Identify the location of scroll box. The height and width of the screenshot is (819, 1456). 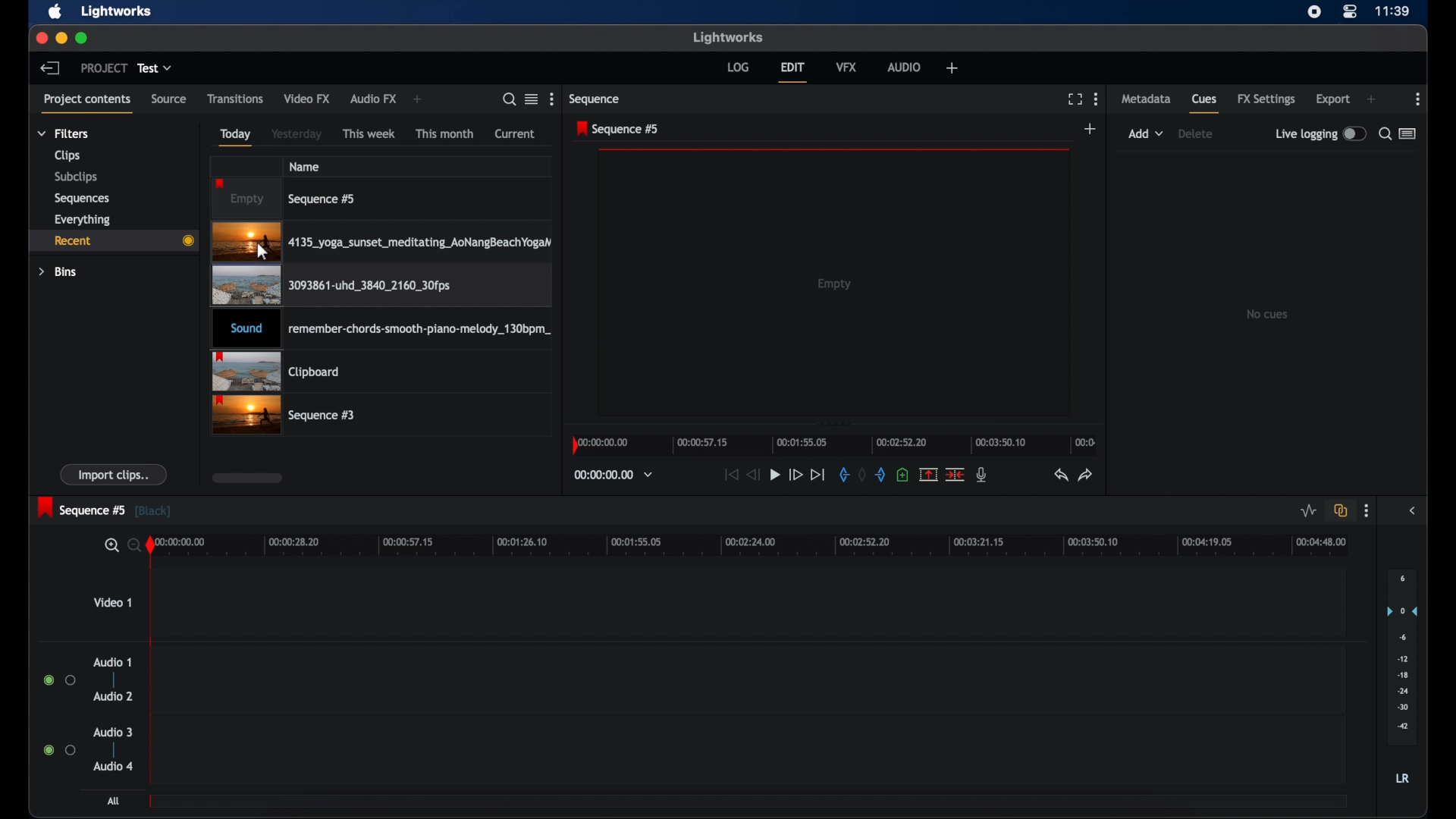
(246, 478).